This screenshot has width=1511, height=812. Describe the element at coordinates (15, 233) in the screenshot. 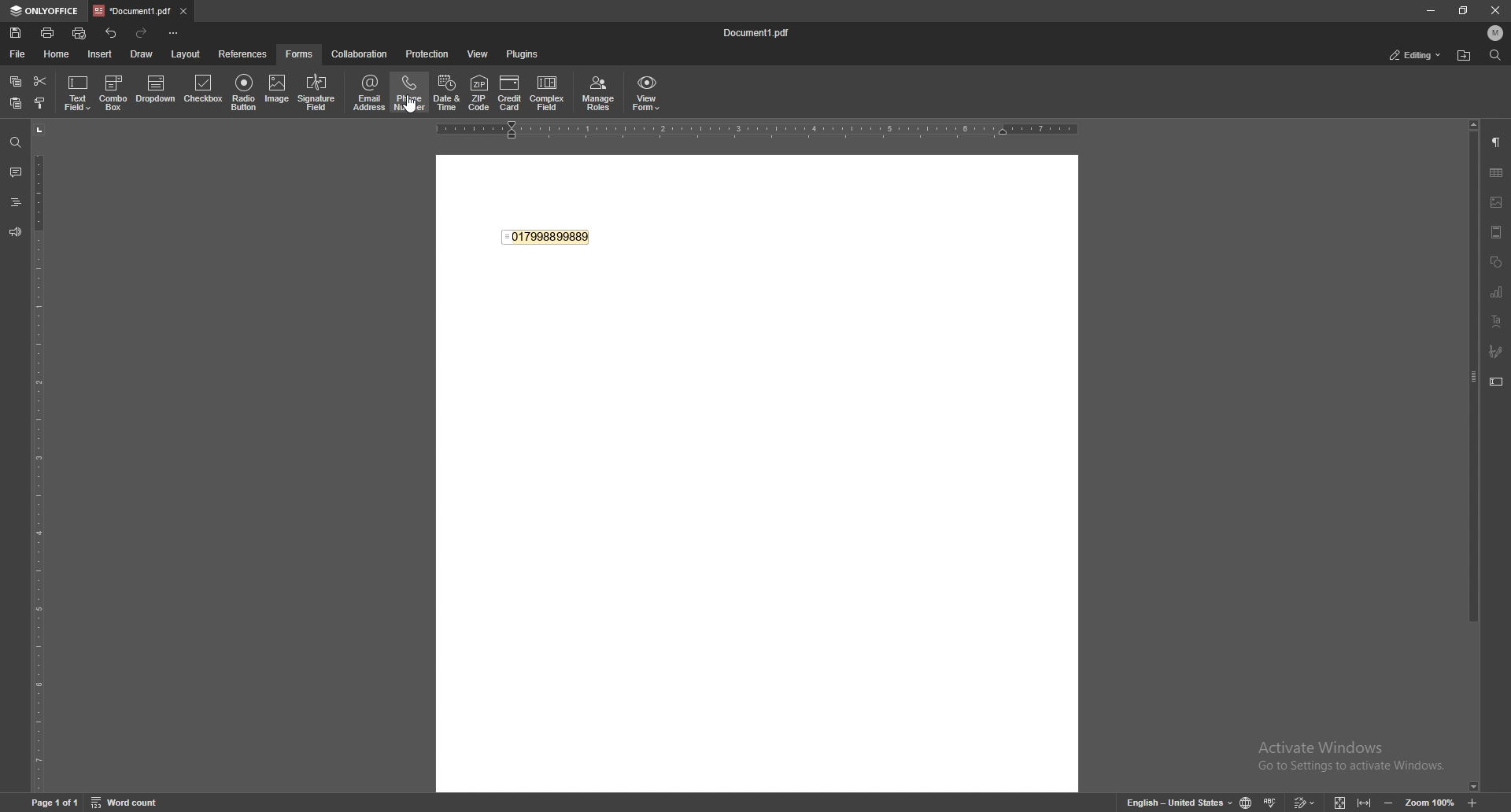

I see `feedback` at that location.